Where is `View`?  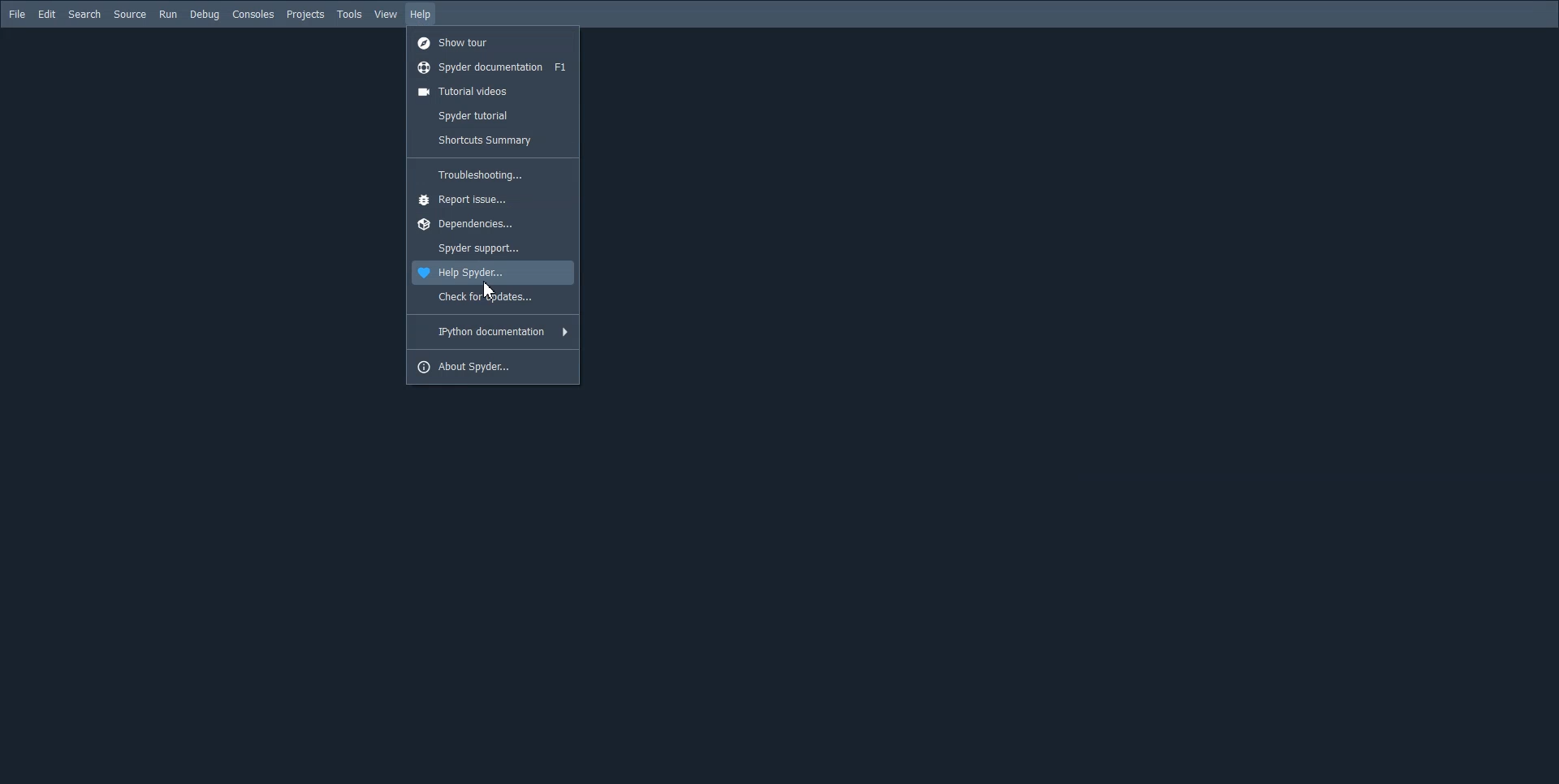 View is located at coordinates (386, 14).